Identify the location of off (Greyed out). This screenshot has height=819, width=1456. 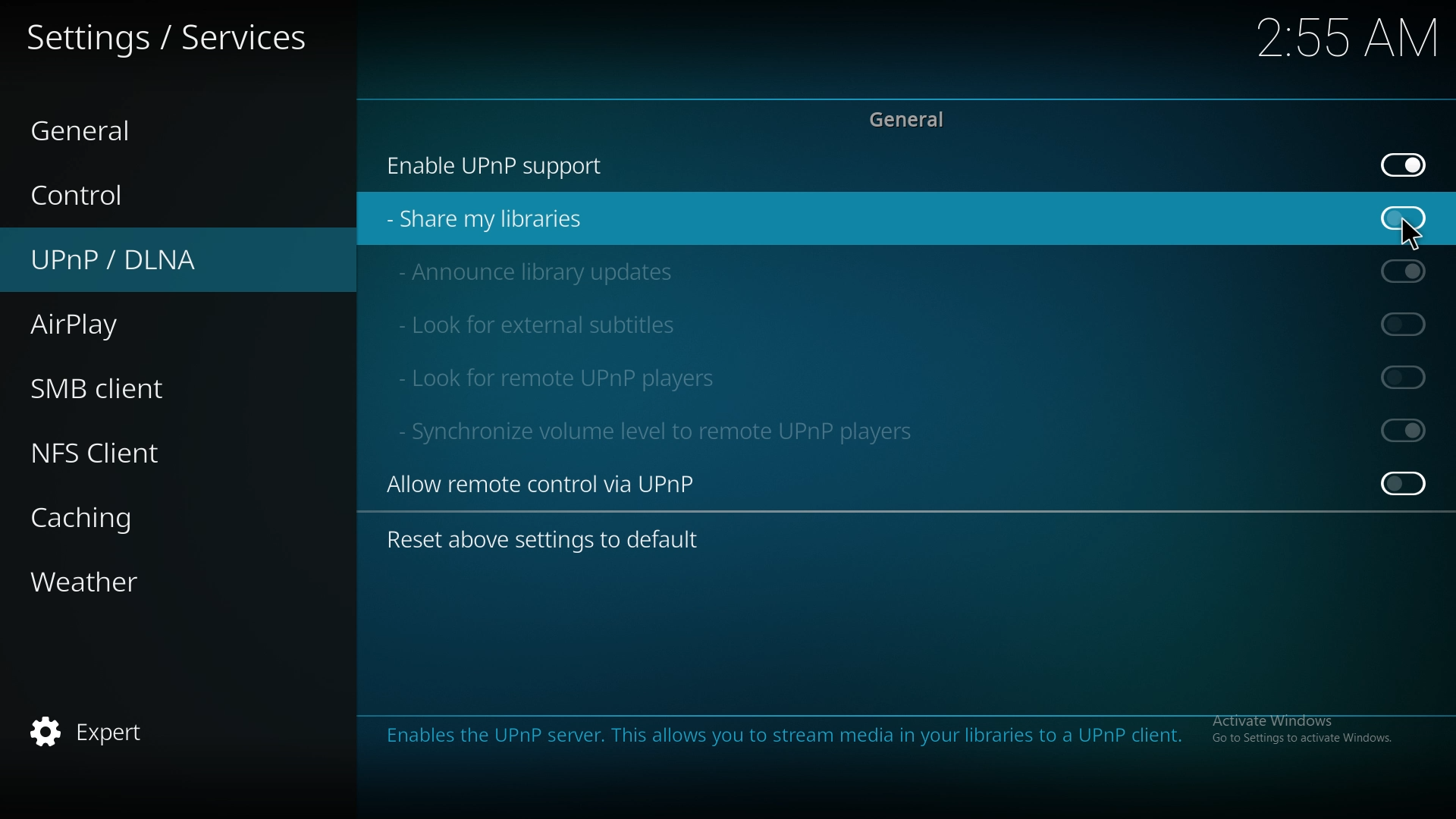
(1404, 324).